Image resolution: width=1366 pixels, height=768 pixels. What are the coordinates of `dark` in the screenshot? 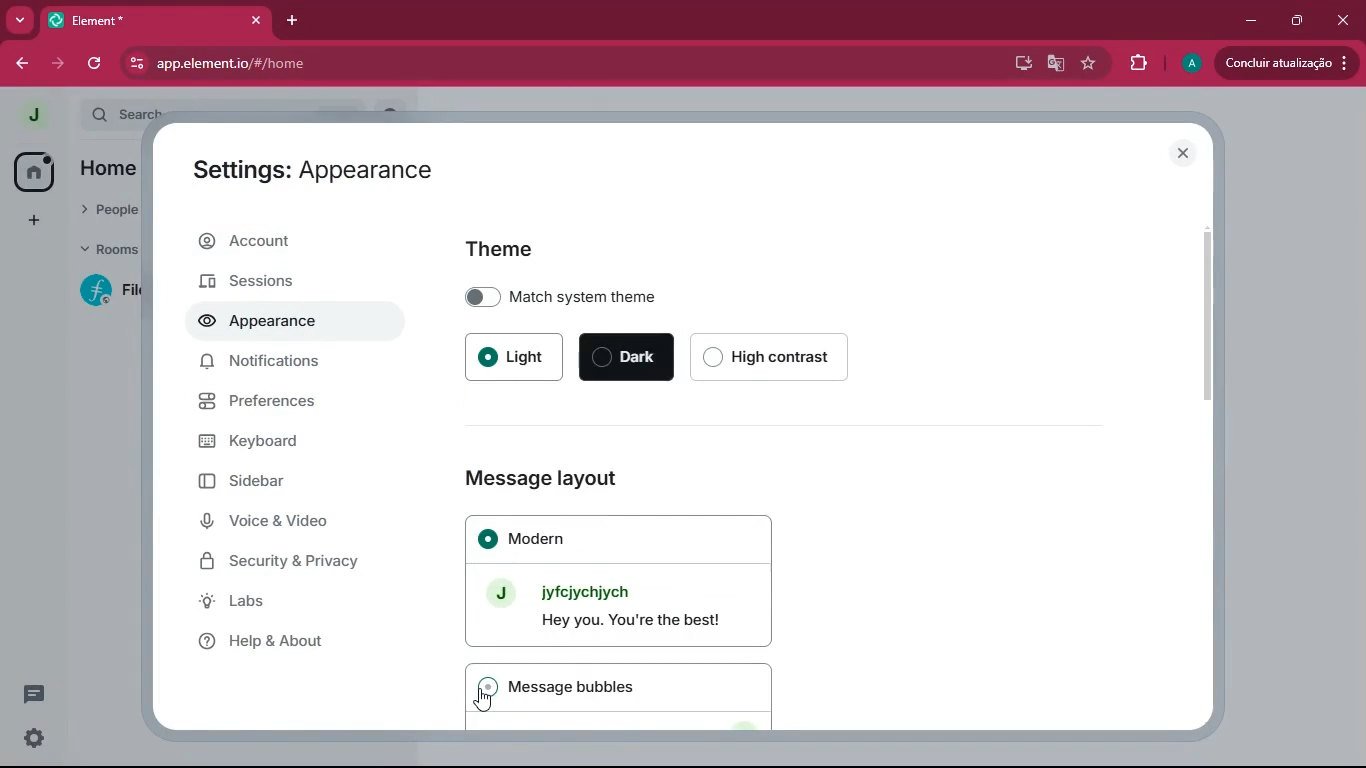 It's located at (627, 357).